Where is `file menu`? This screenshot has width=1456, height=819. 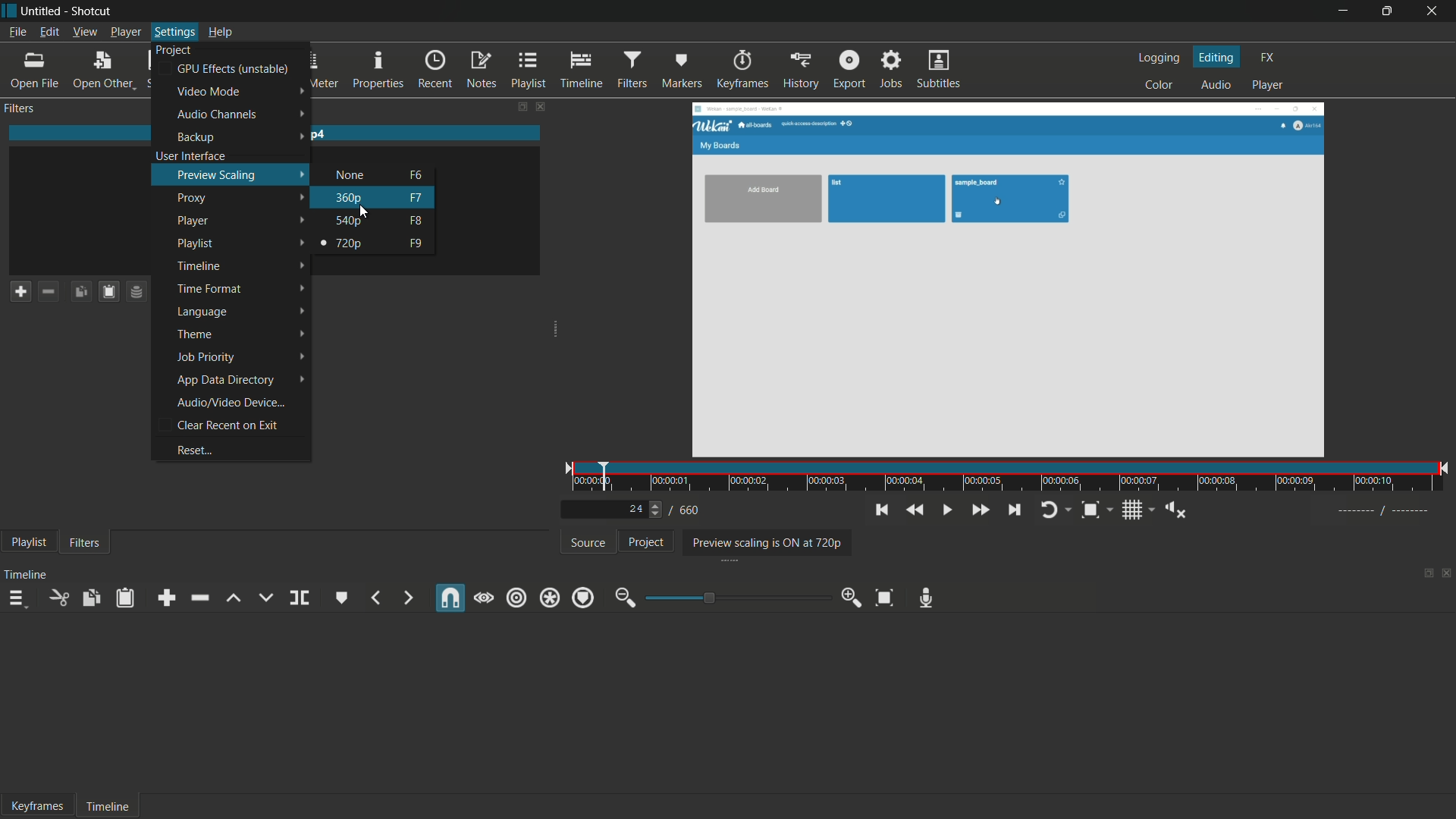
file menu is located at coordinates (16, 31).